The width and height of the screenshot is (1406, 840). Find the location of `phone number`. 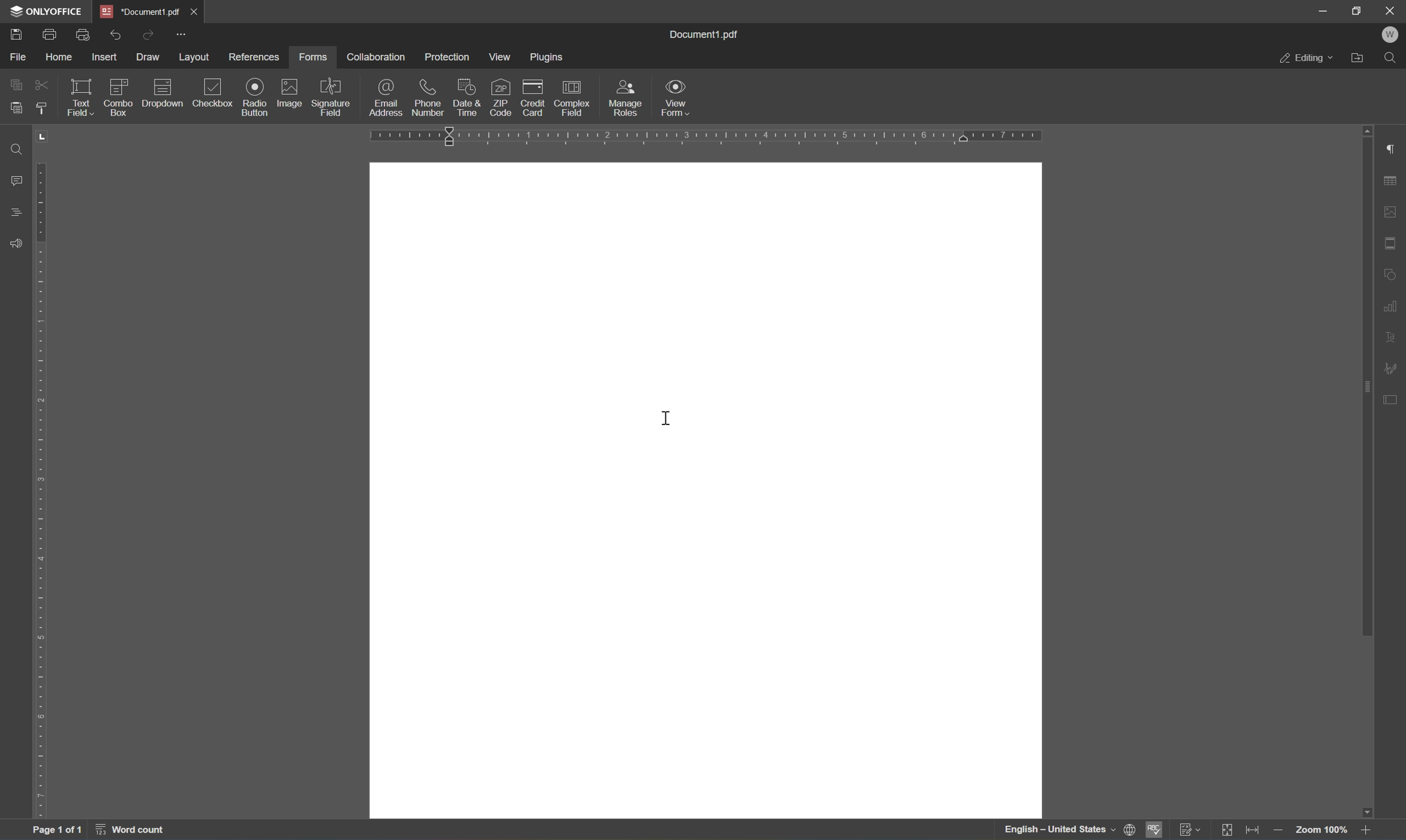

phone number is located at coordinates (428, 98).